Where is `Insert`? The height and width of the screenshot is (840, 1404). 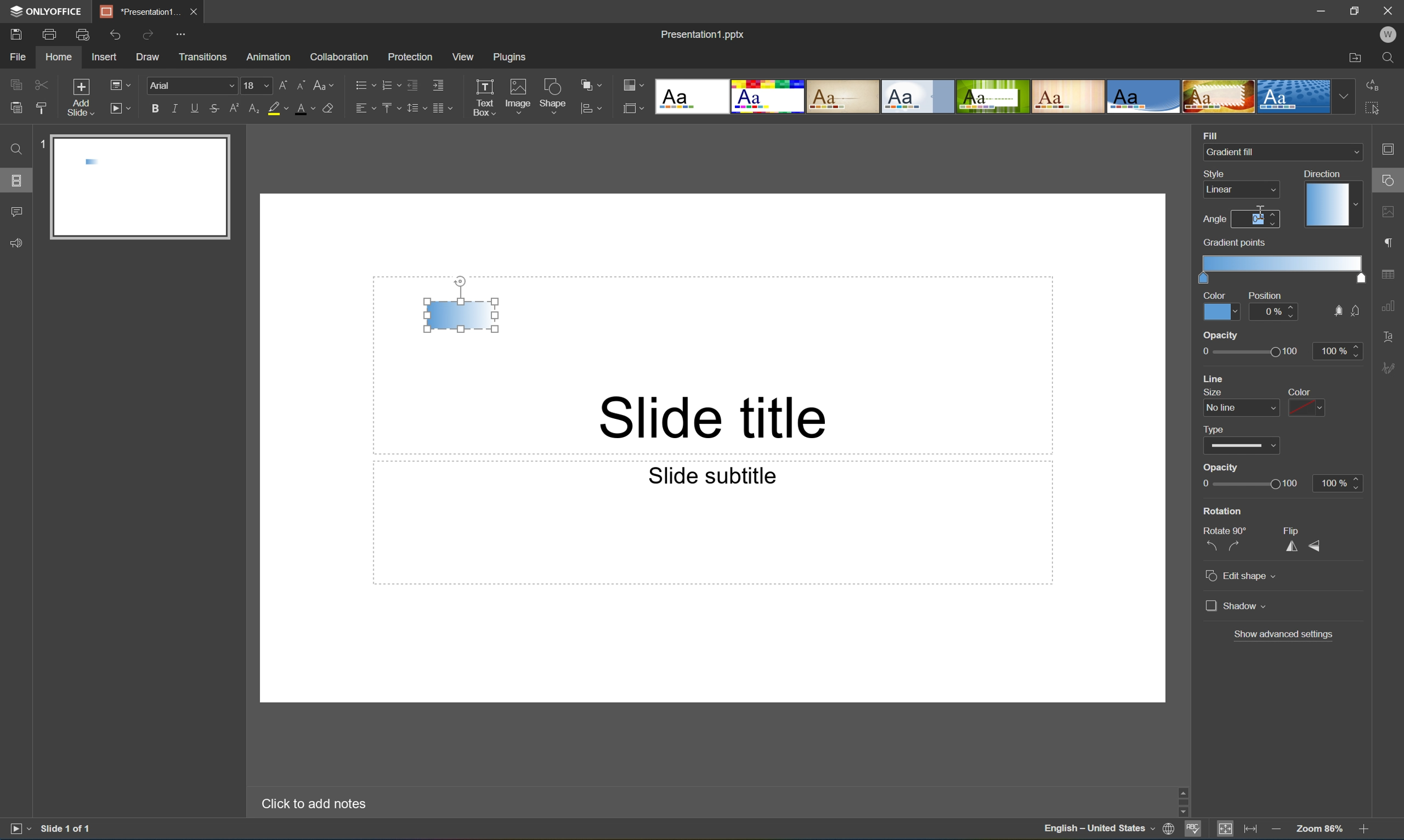
Insert is located at coordinates (104, 57).